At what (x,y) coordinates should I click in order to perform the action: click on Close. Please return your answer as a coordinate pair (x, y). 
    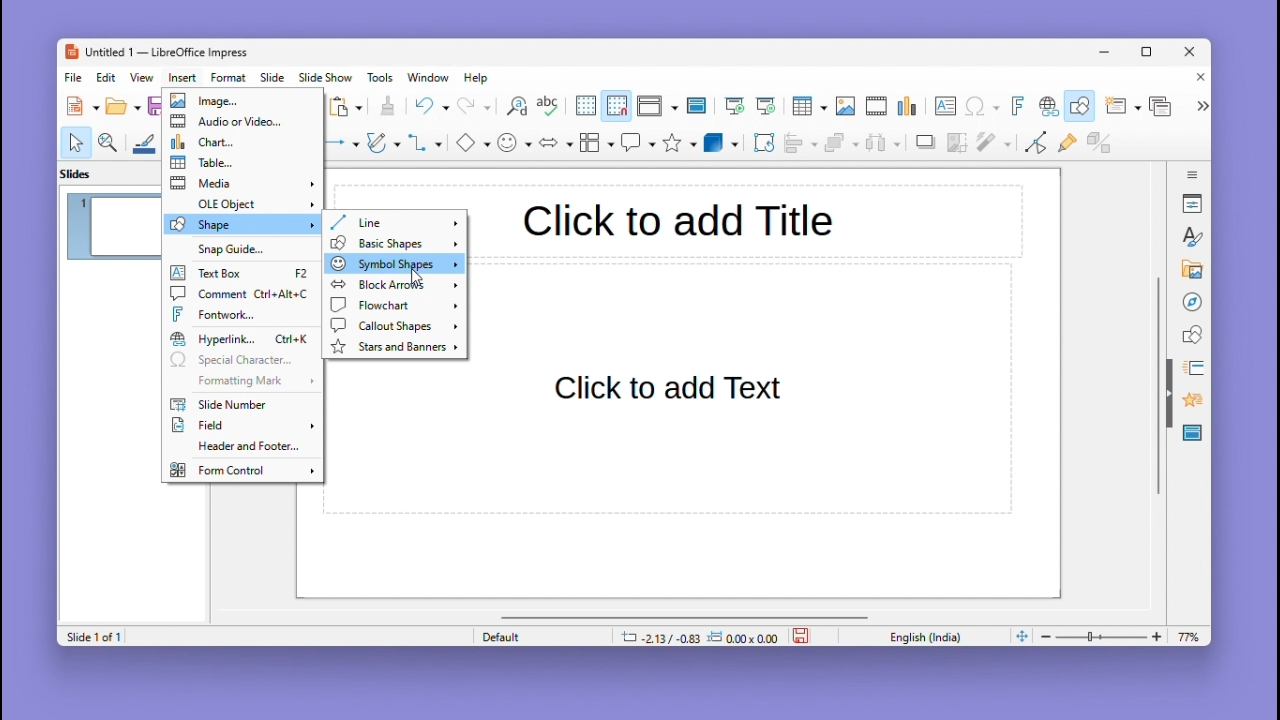
    Looking at the image, I should click on (1191, 53).